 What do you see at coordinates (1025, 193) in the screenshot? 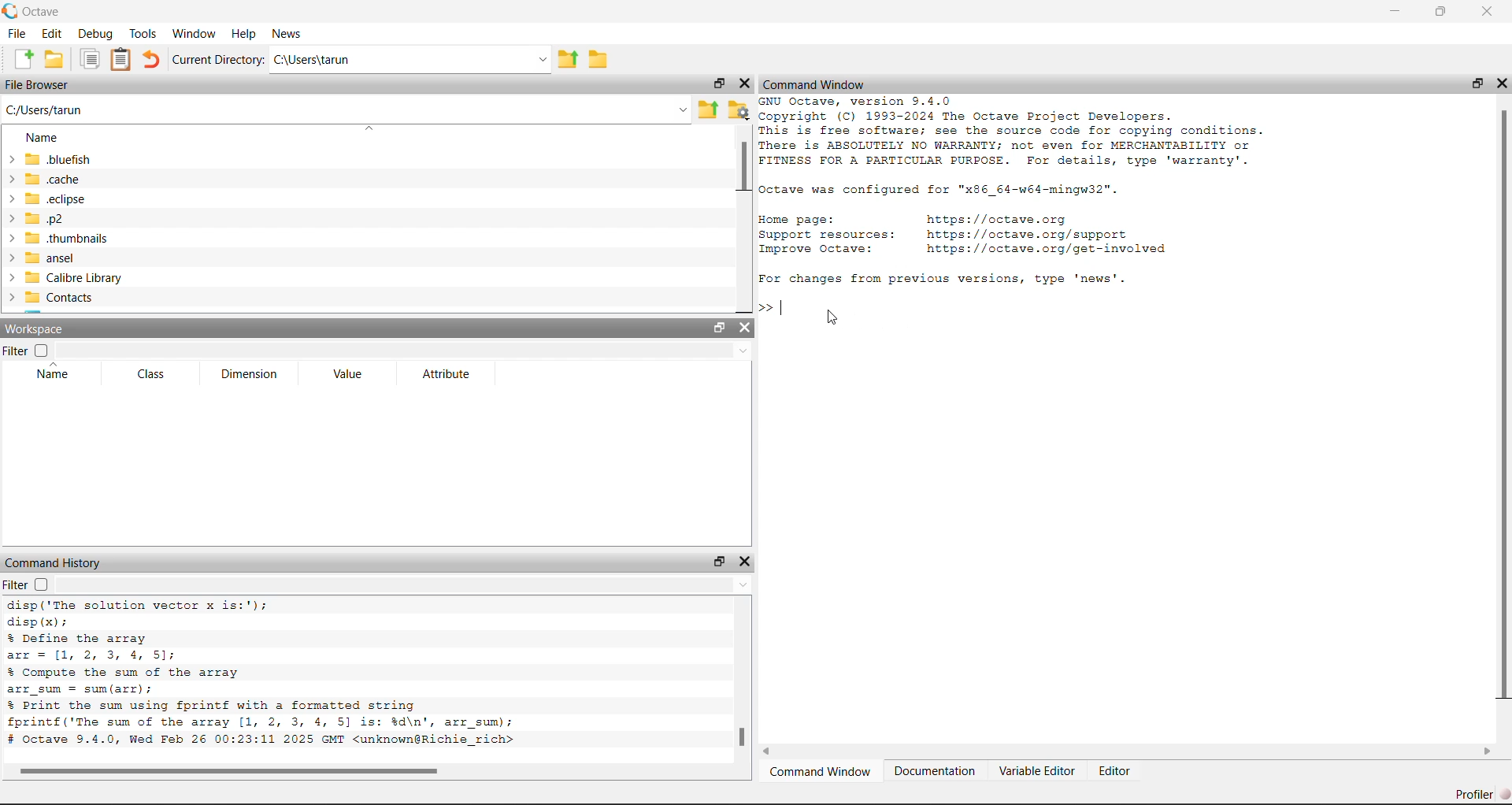
I see `GNU Octave, version 9.4.0

Copyright (C) 1993-2024 The Octave Project Developers.

This is free software; see the source code for copying conditions.
There is ABSOLUTELY NO WARRANTY; not even for MERCHANTABILITY or
FITNESS FOR A PARTICULAR PURPOSE. For details, type 'warranty'.
Octave was configured for "x86_64-w64-mingw32".

Home page: https: //octave.org

Support resources: https: //octave.org/support

Improve Octave: https://octave.org/get-involved

For changes from previous versions, type ‘news’.` at bounding box center [1025, 193].